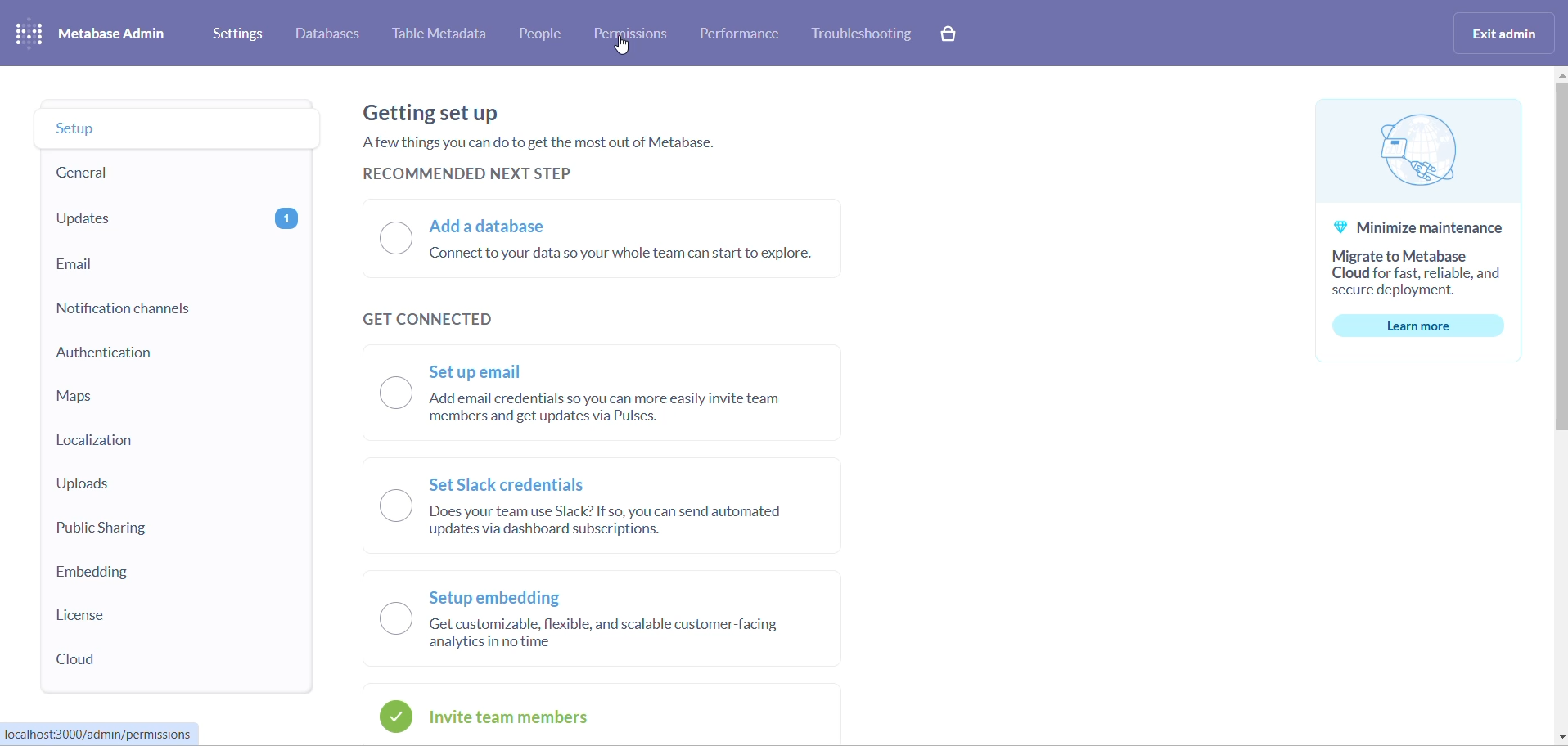  What do you see at coordinates (1558, 261) in the screenshot?
I see `scrollbar` at bounding box center [1558, 261].